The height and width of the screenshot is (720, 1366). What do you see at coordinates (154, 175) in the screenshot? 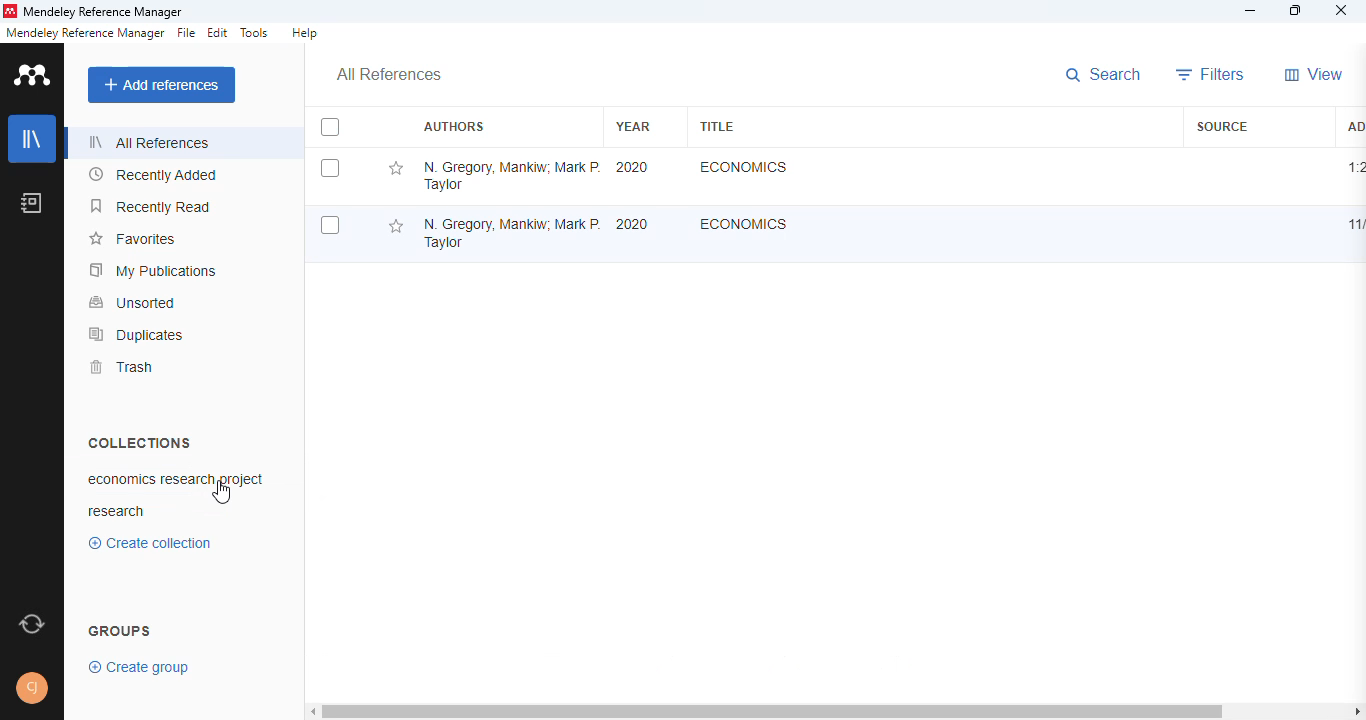
I see `recently added` at bounding box center [154, 175].